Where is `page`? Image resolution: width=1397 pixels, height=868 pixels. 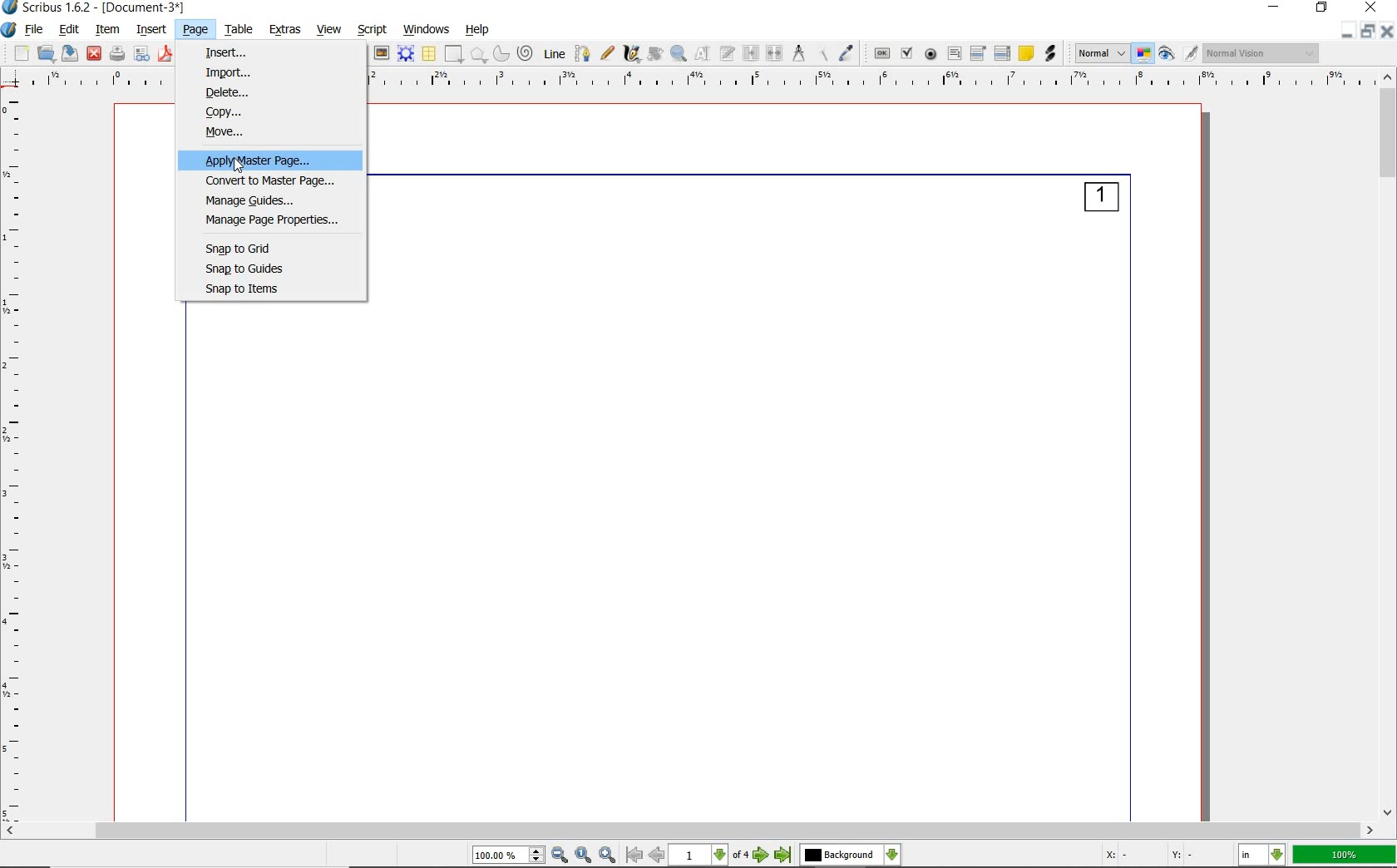 page is located at coordinates (195, 29).